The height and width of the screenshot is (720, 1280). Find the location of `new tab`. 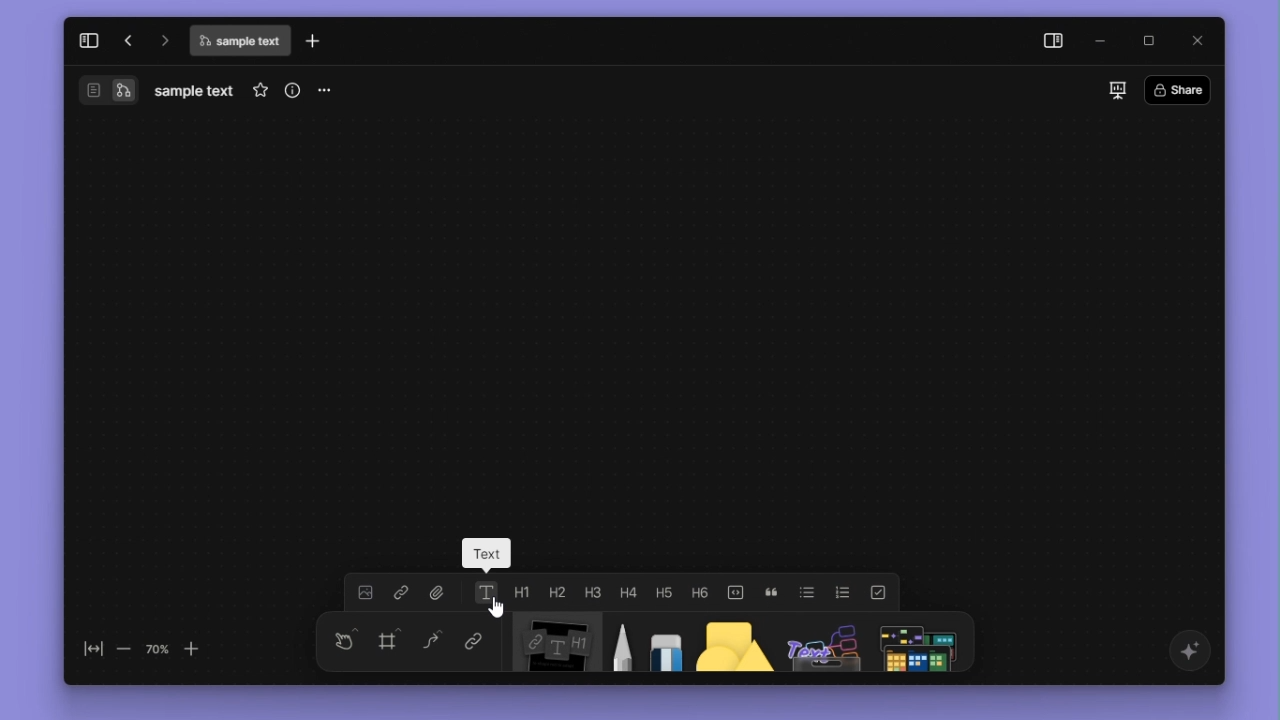

new tab is located at coordinates (317, 41).